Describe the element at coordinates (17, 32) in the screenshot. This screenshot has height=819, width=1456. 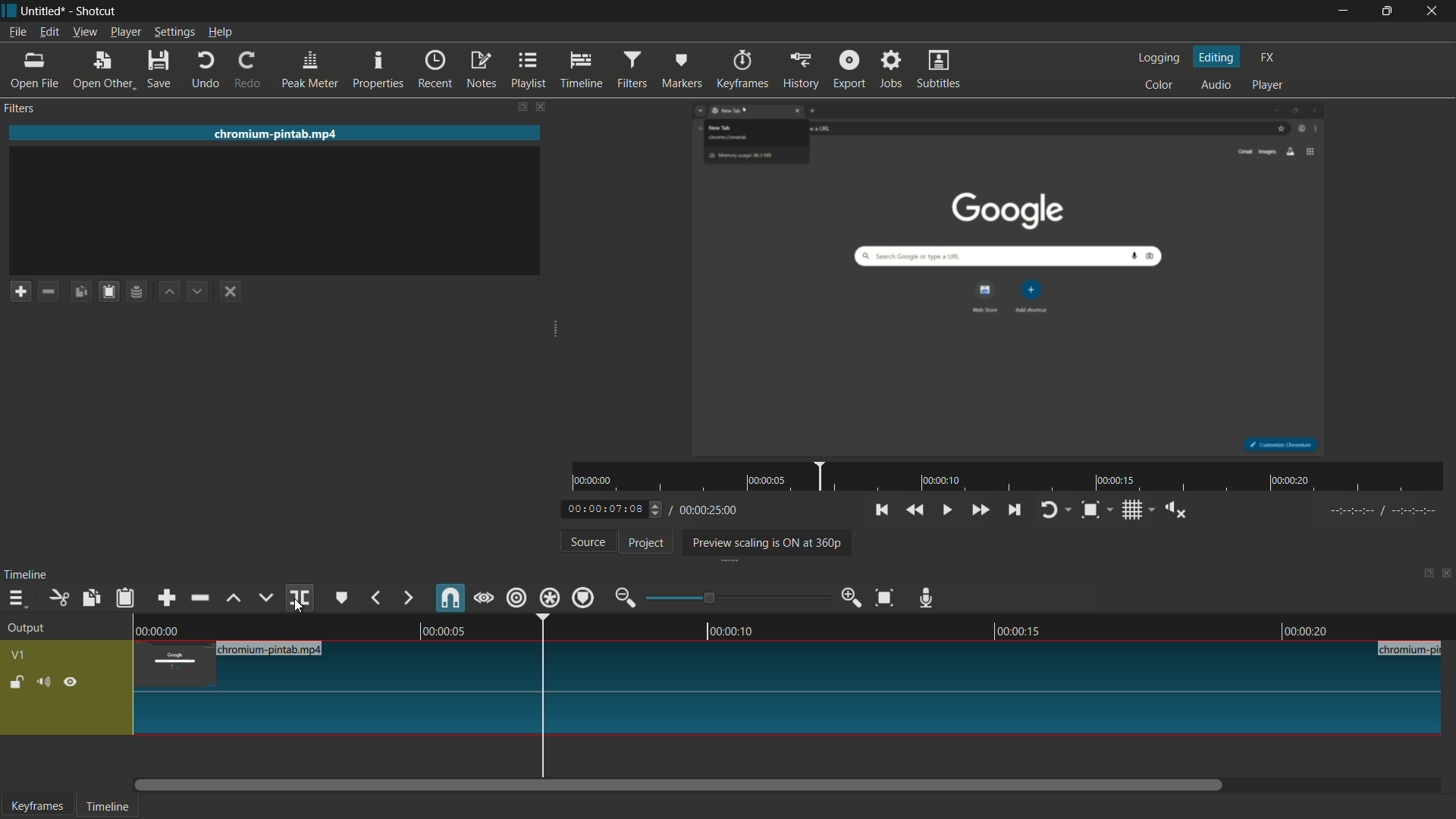
I see `file menu` at that location.